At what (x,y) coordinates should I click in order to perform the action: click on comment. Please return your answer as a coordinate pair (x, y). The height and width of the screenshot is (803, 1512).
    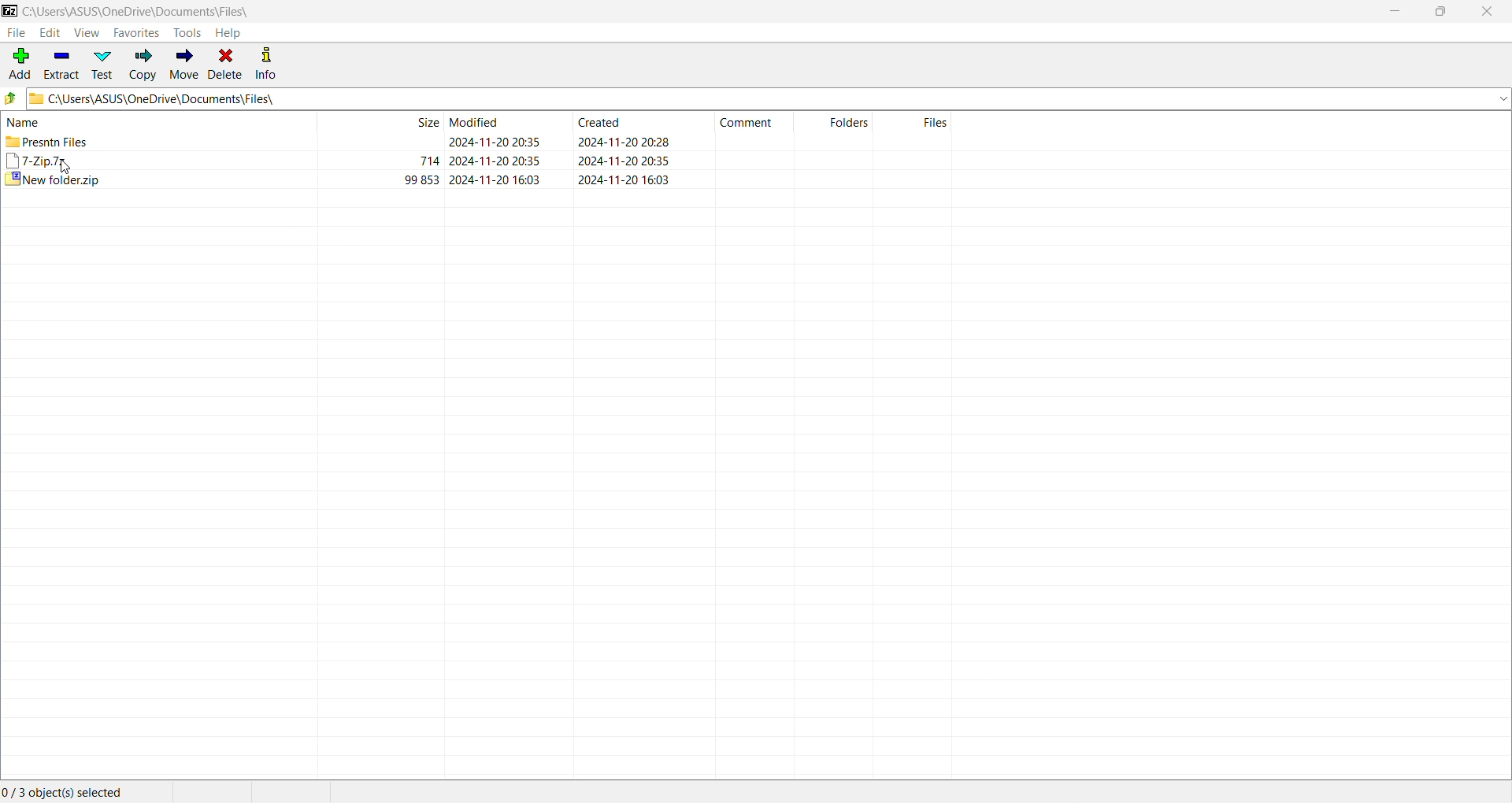
    Looking at the image, I should click on (752, 124).